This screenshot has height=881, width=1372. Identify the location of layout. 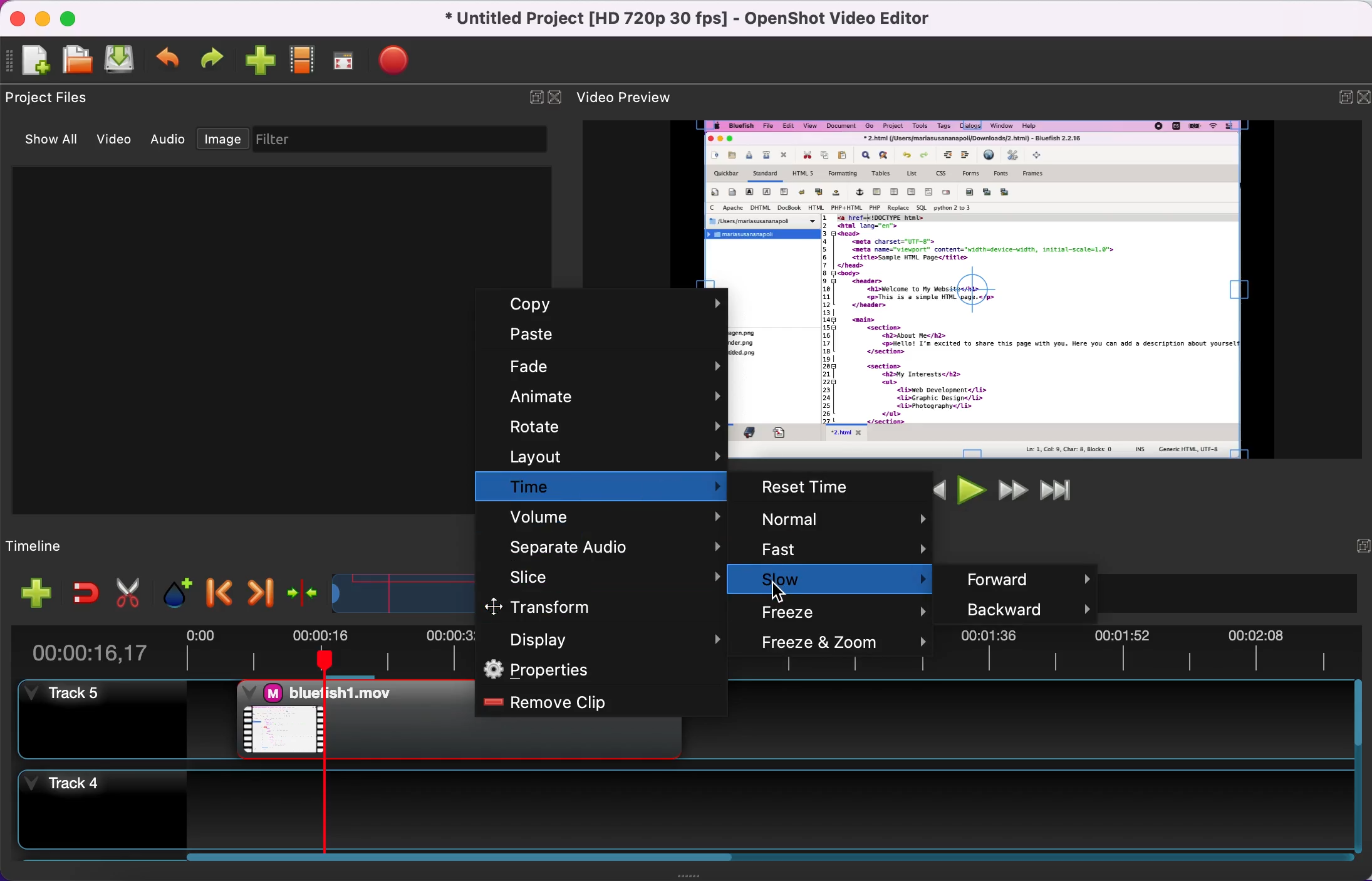
(603, 456).